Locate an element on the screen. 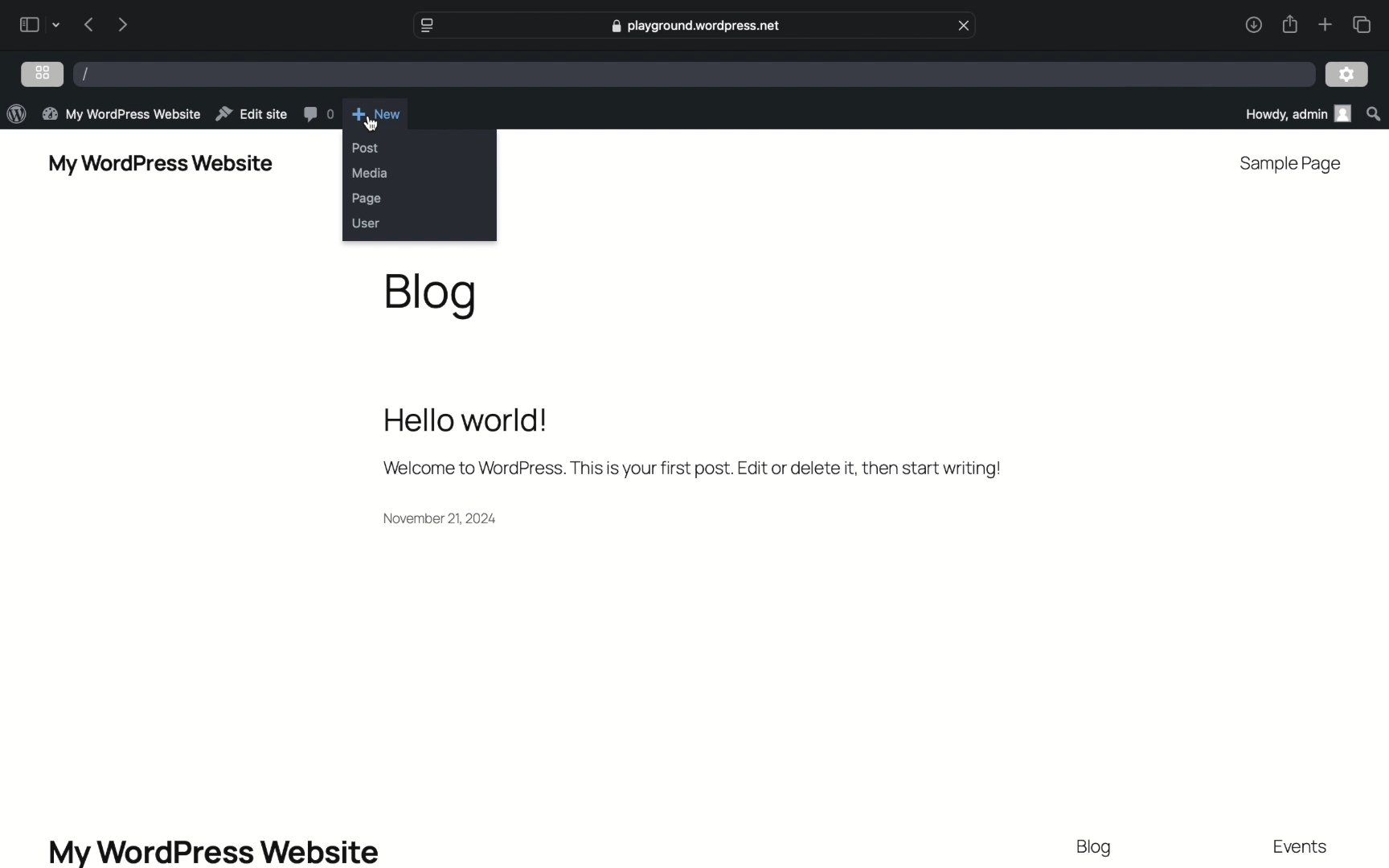  welcome message is located at coordinates (692, 469).